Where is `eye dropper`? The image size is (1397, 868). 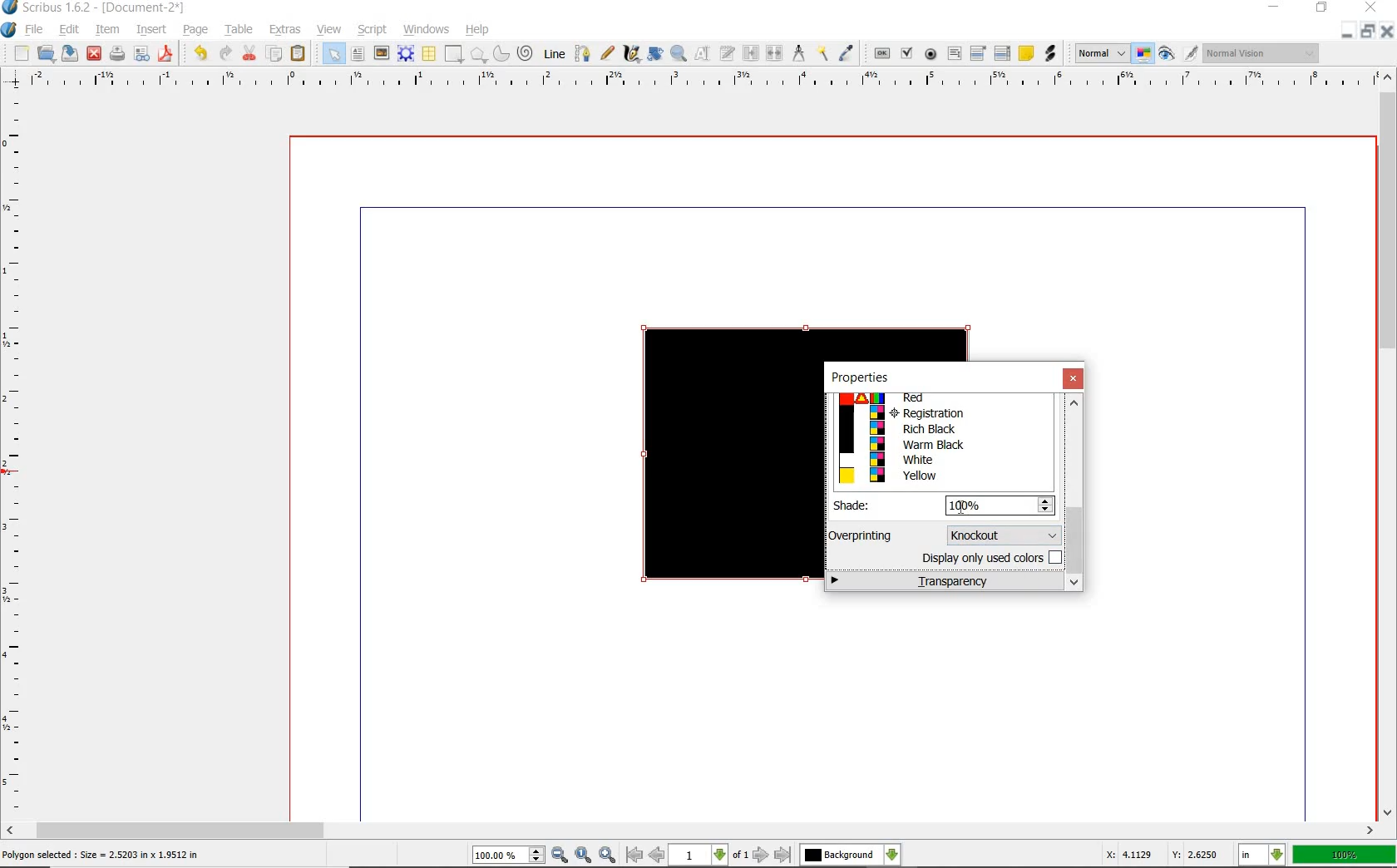 eye dropper is located at coordinates (848, 52).